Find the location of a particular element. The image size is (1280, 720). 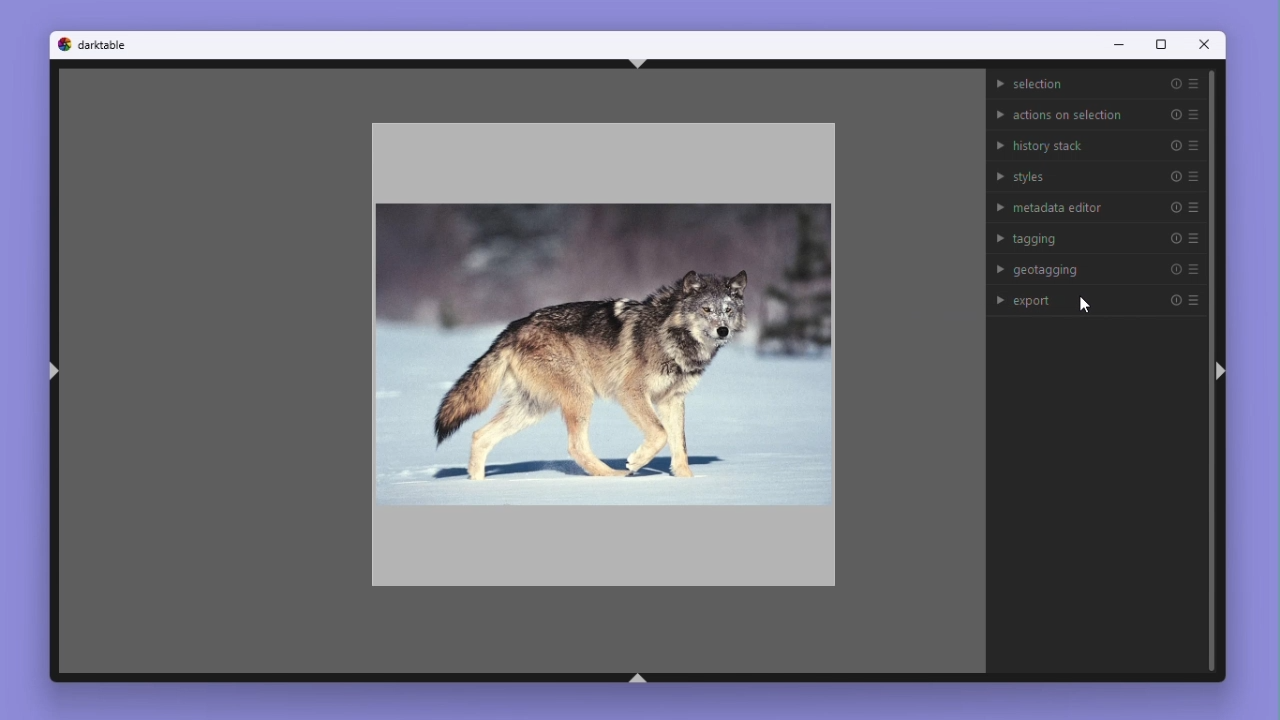

ctrl+shift+b is located at coordinates (635, 678).